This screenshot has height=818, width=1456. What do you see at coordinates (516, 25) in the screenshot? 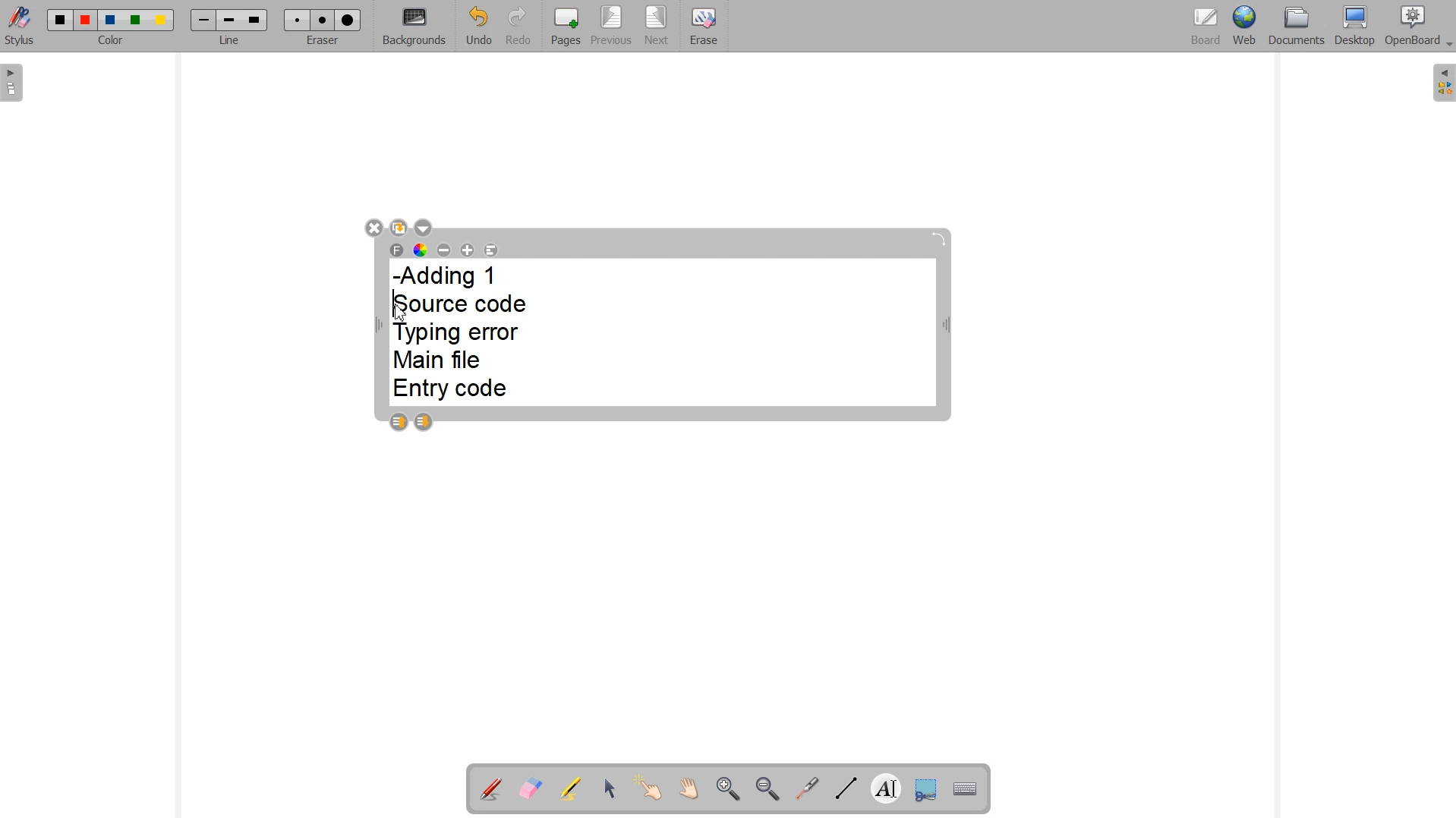
I see `Redo` at bounding box center [516, 25].